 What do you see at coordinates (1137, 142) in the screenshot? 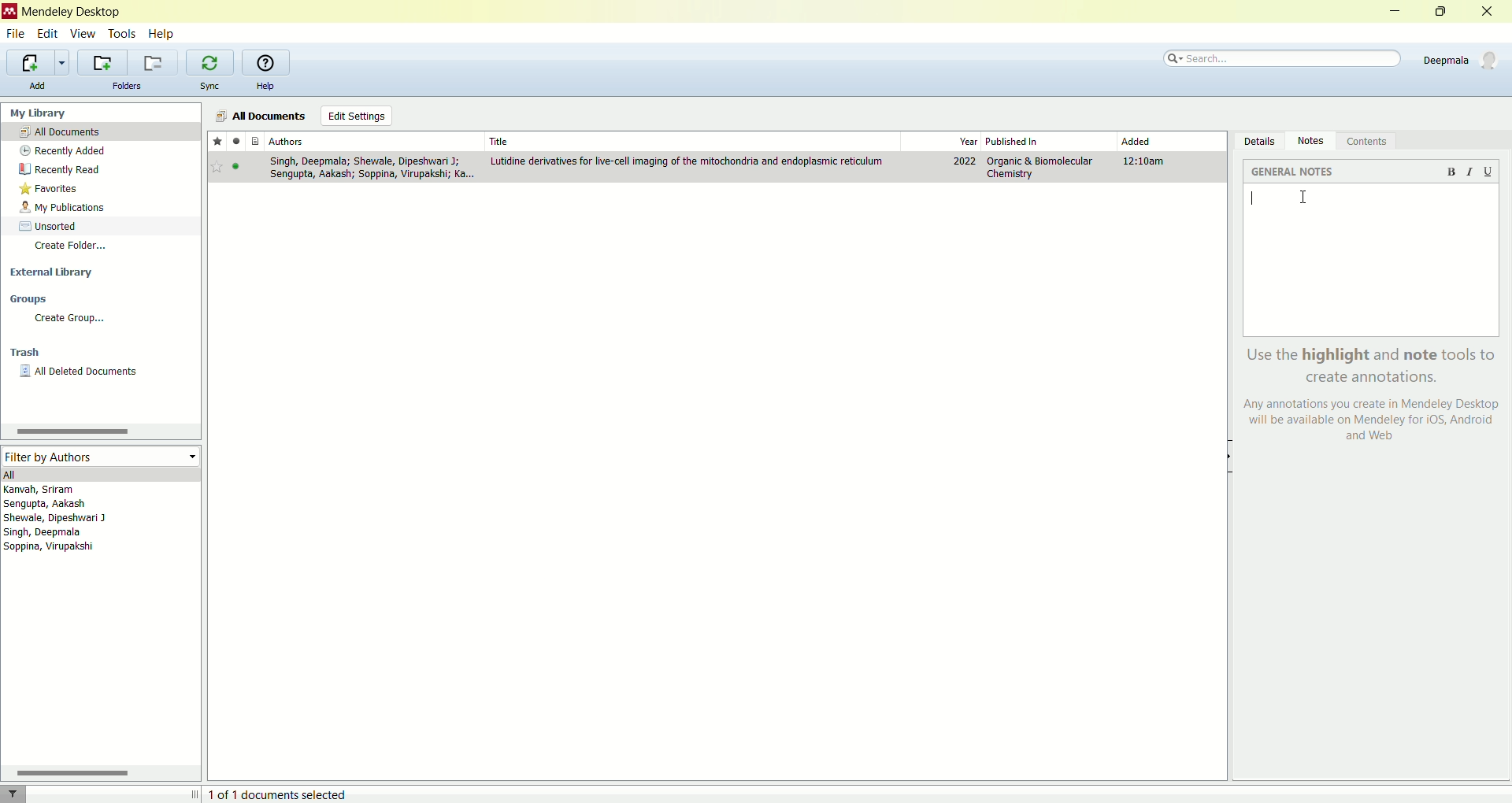
I see `added` at bounding box center [1137, 142].